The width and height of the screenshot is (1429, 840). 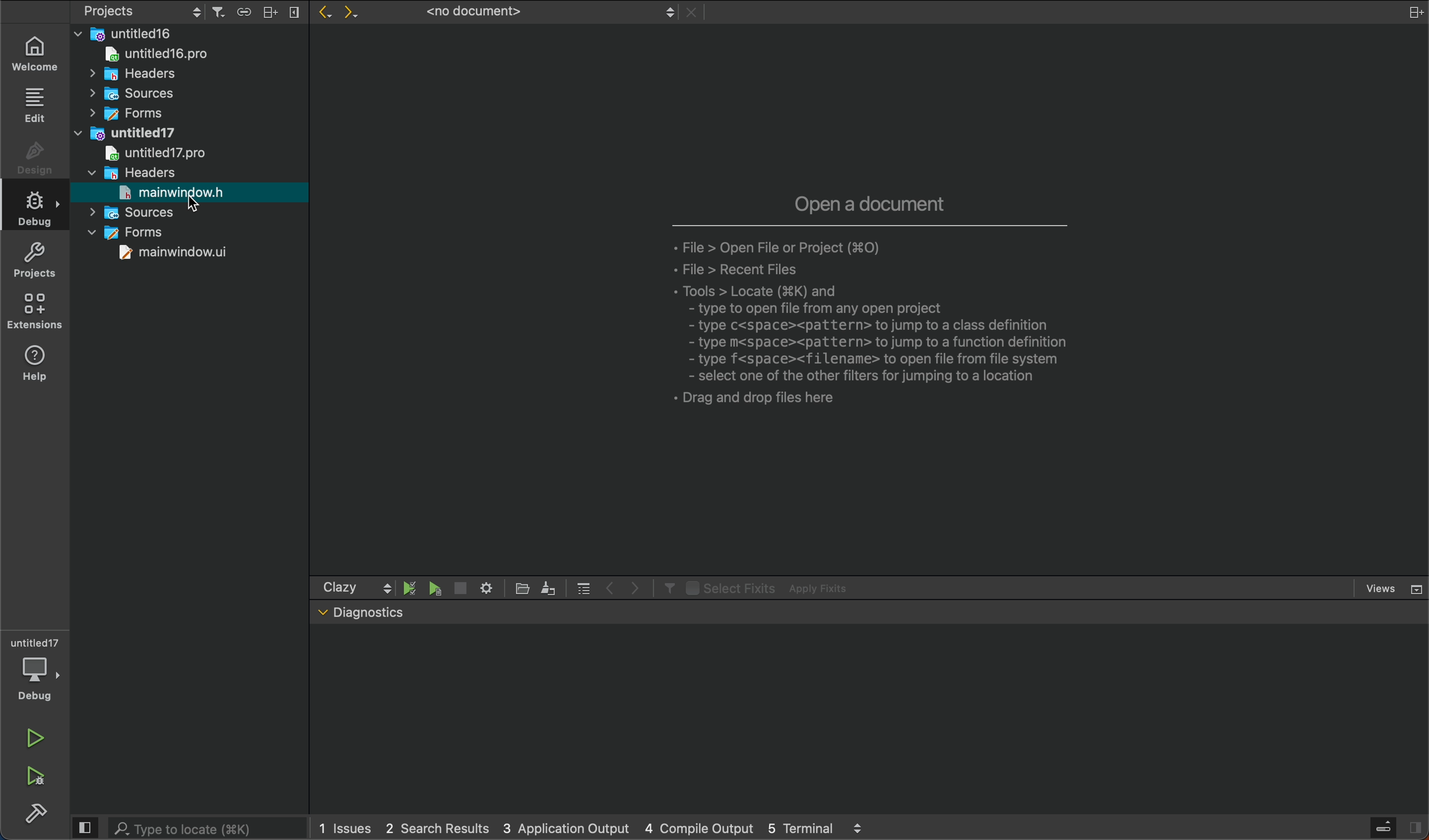 What do you see at coordinates (124, 72) in the screenshot?
I see `Headers` at bounding box center [124, 72].